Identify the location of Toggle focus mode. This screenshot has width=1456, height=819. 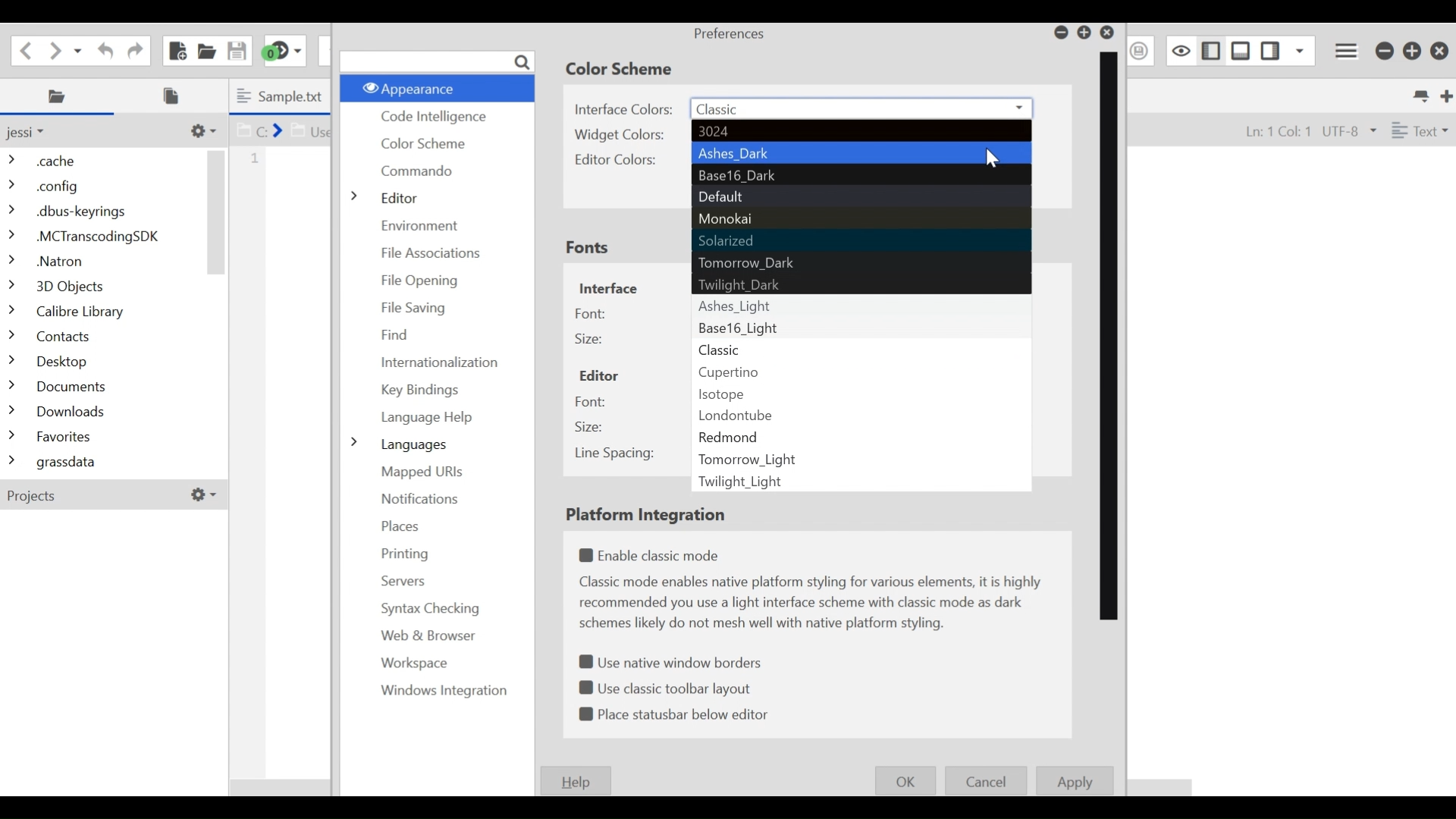
(1179, 50).